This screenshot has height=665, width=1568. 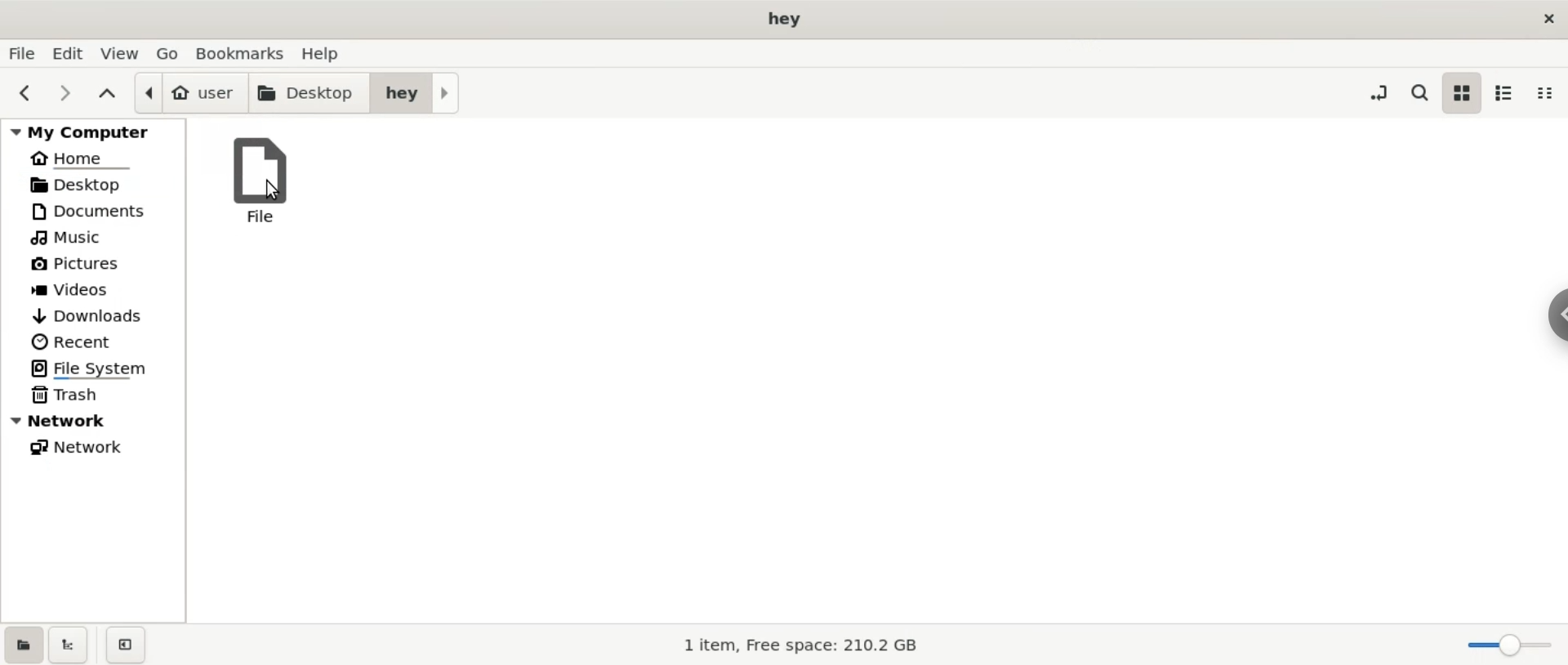 I want to click on search, so click(x=1418, y=92).